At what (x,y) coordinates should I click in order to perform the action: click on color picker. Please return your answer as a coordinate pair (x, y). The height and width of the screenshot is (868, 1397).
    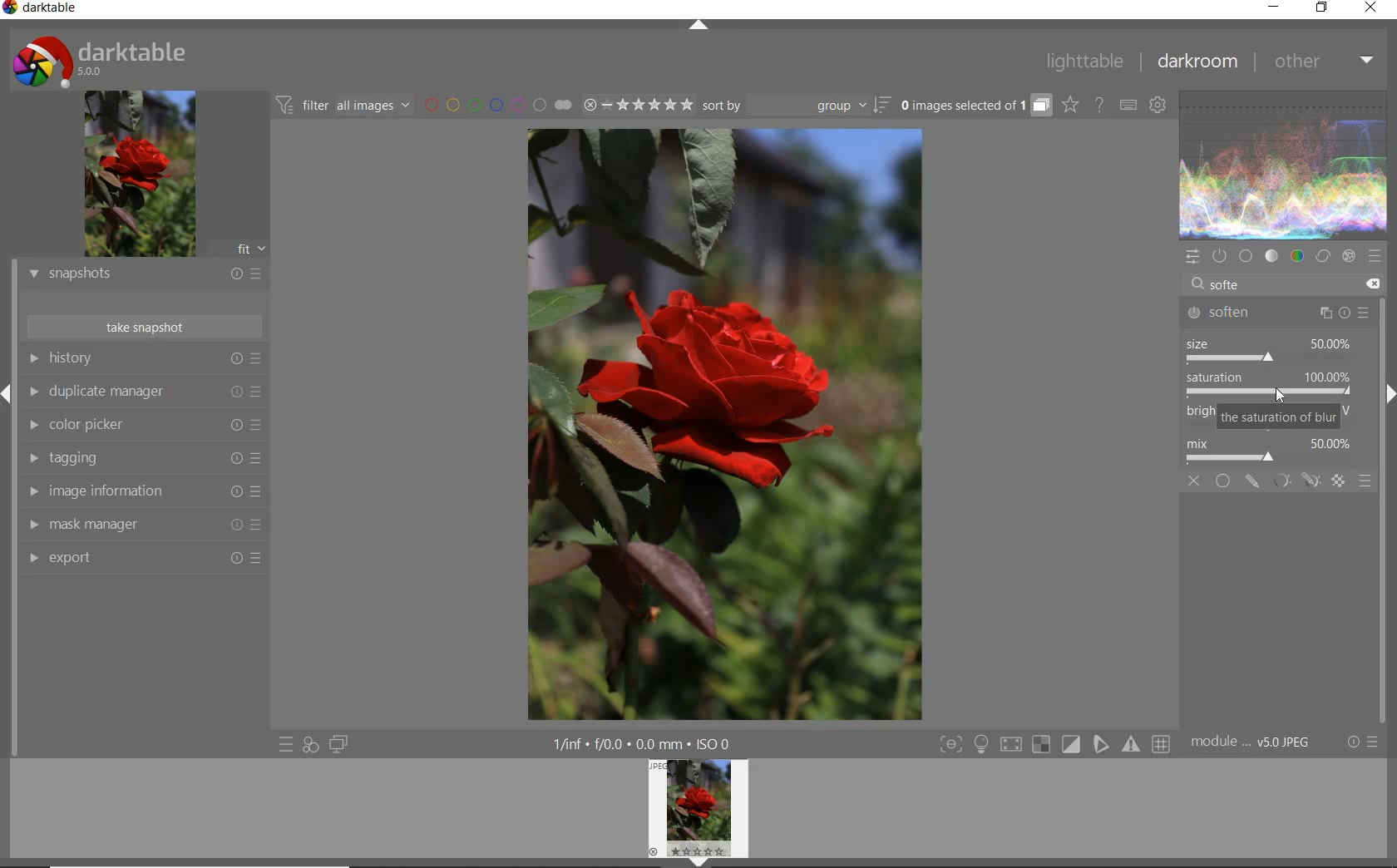
    Looking at the image, I should click on (144, 427).